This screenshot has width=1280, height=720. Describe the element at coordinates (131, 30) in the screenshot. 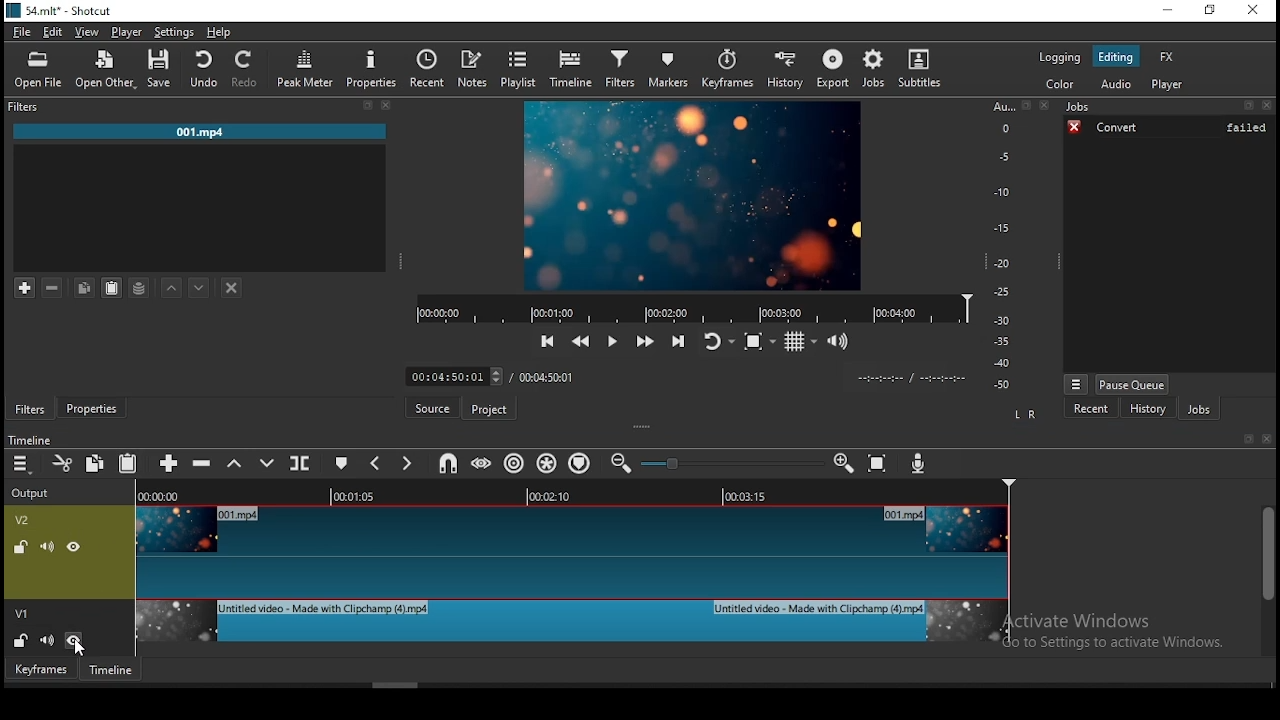

I see `player` at that location.